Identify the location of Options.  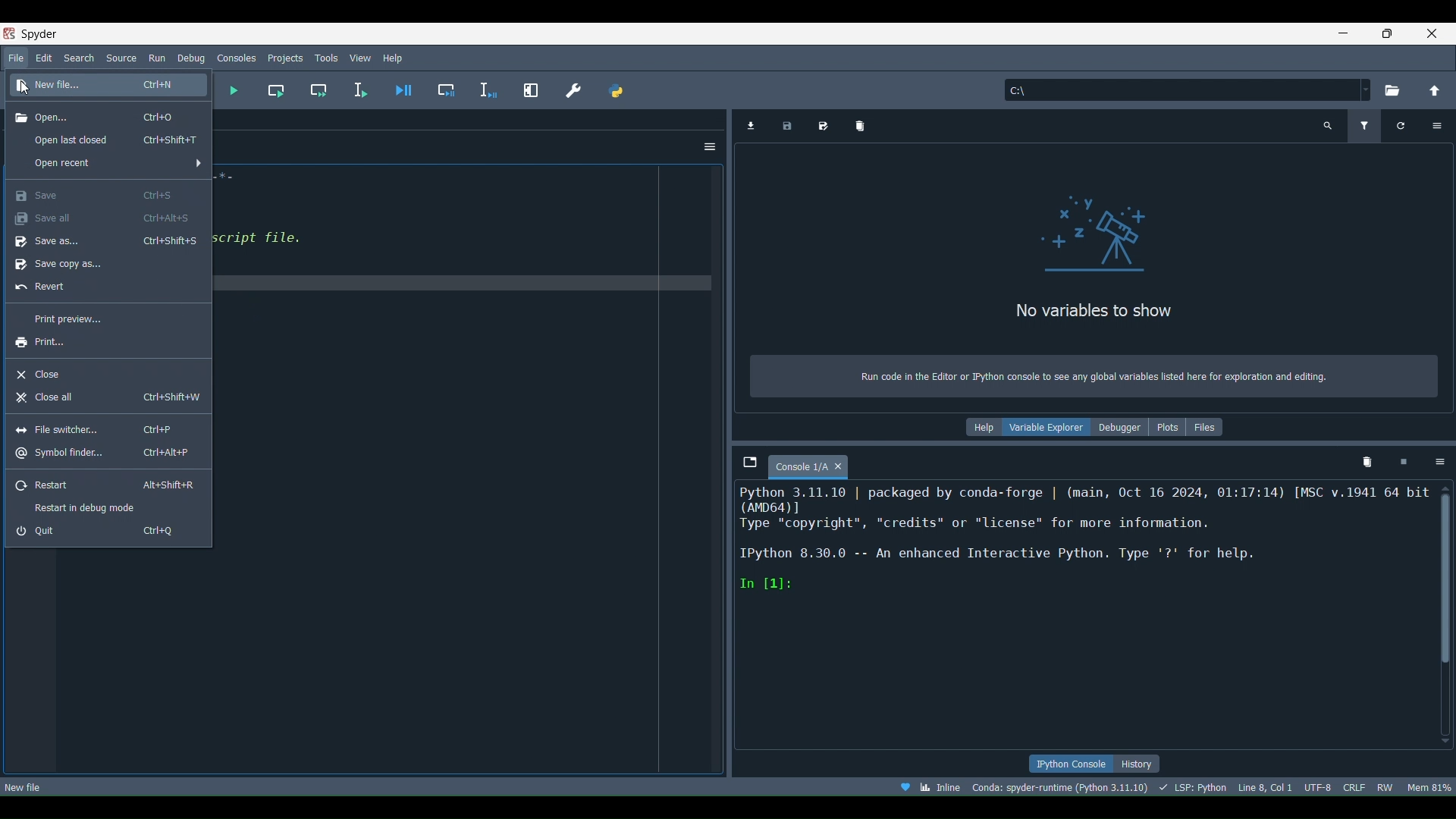
(1441, 125).